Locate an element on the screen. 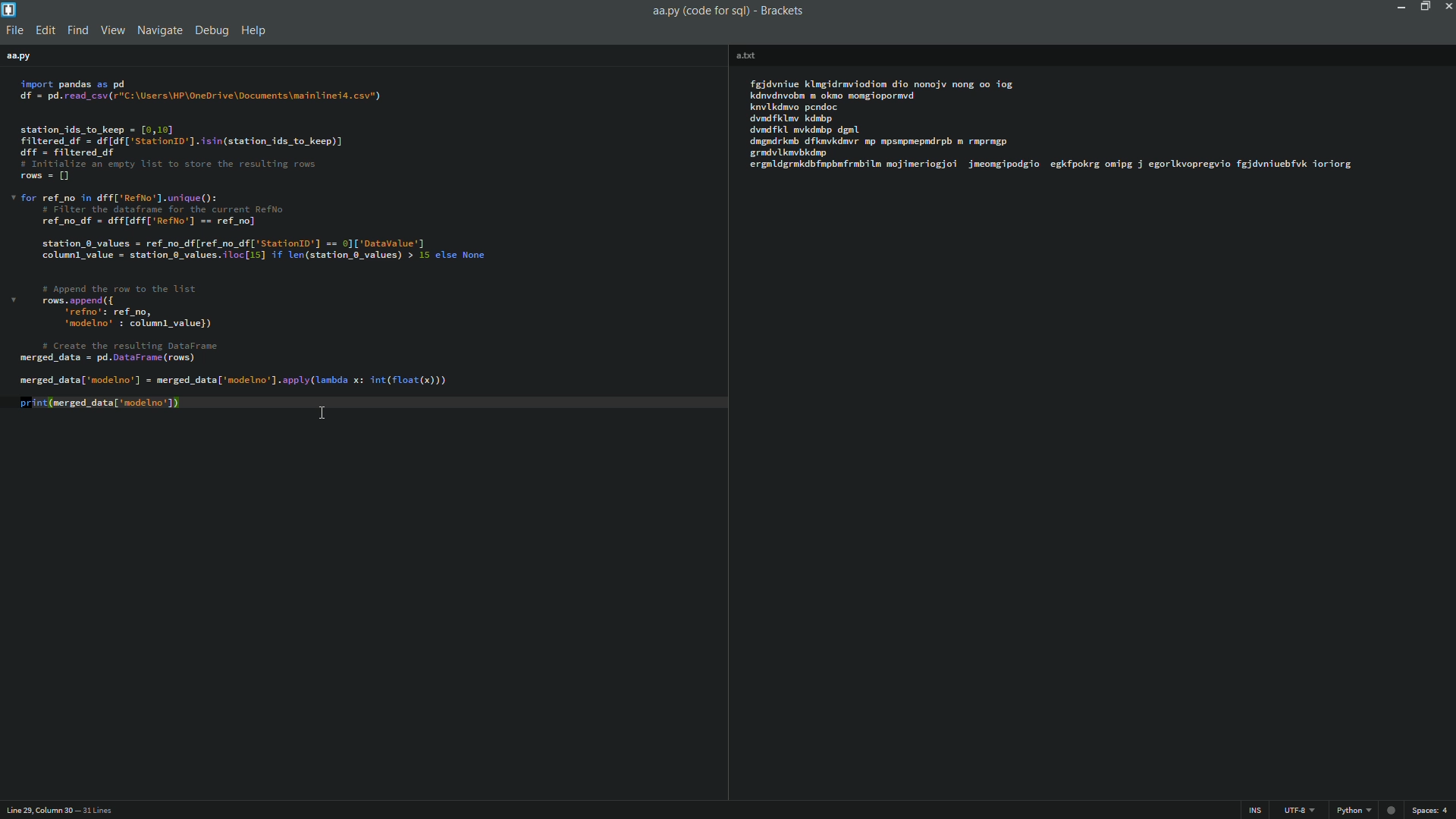 The width and height of the screenshot is (1456, 819). python is located at coordinates (1354, 810).